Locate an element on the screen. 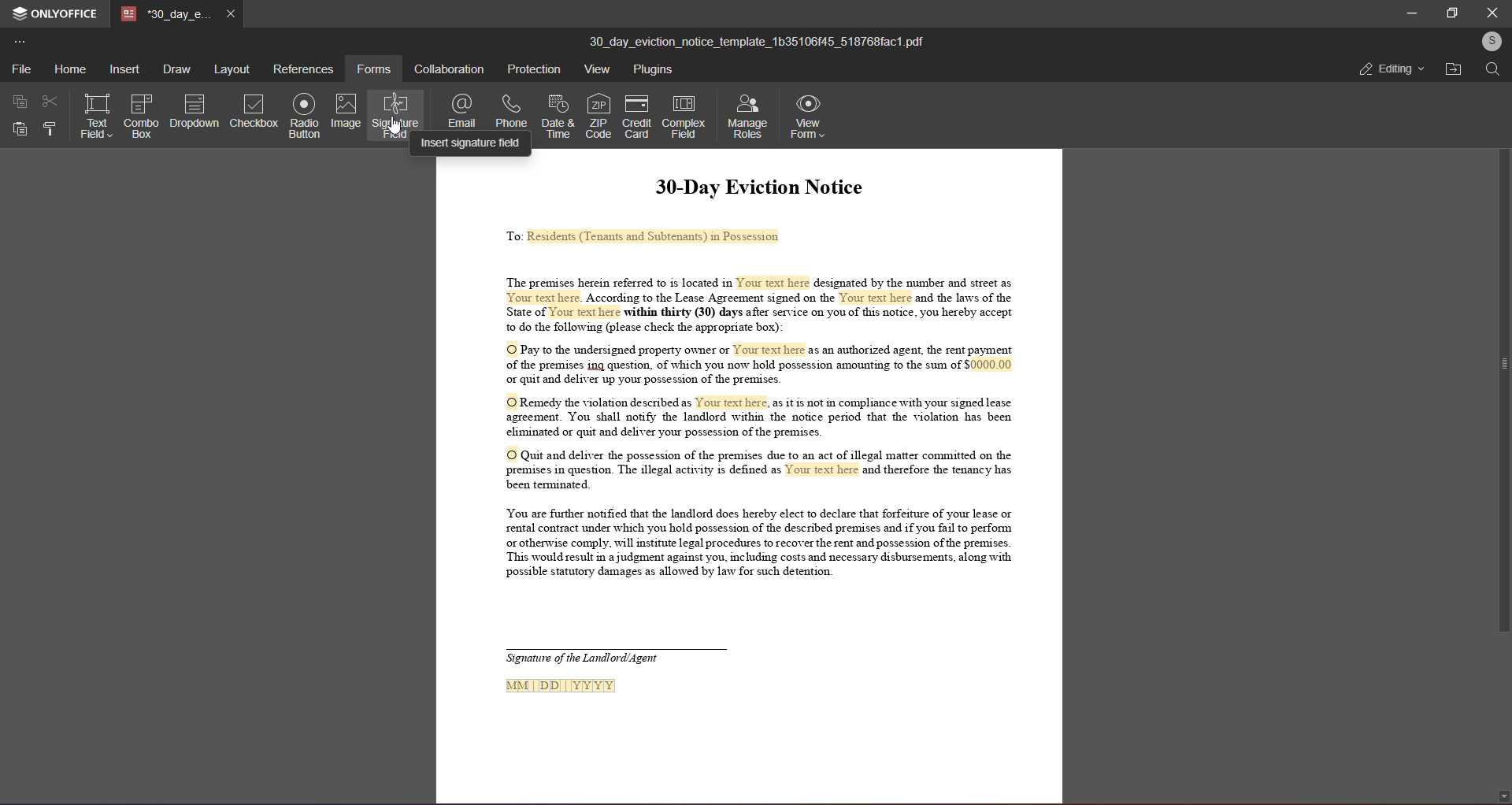 The width and height of the screenshot is (1512, 805). close tab is located at coordinates (232, 15).